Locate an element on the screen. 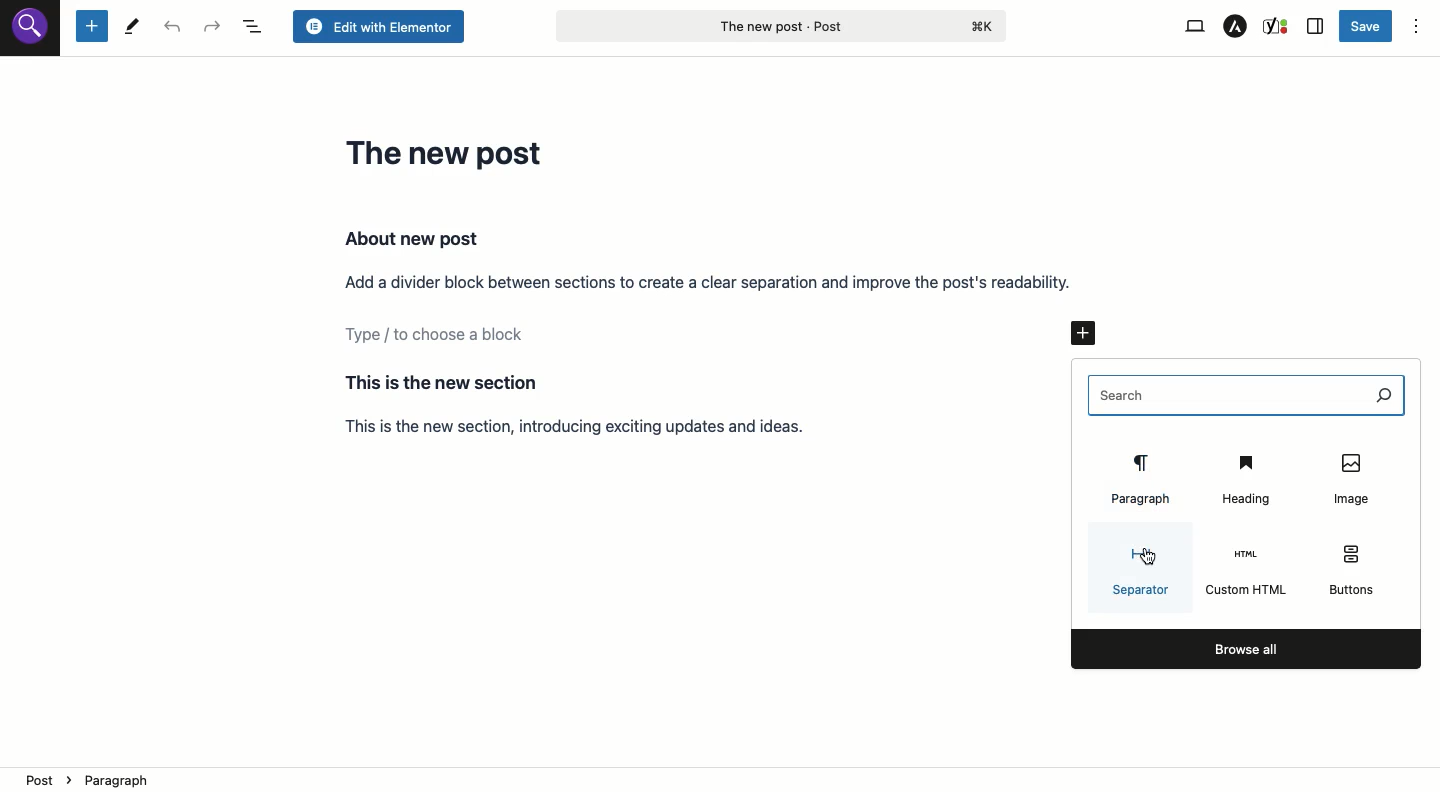  Undo is located at coordinates (176, 28).